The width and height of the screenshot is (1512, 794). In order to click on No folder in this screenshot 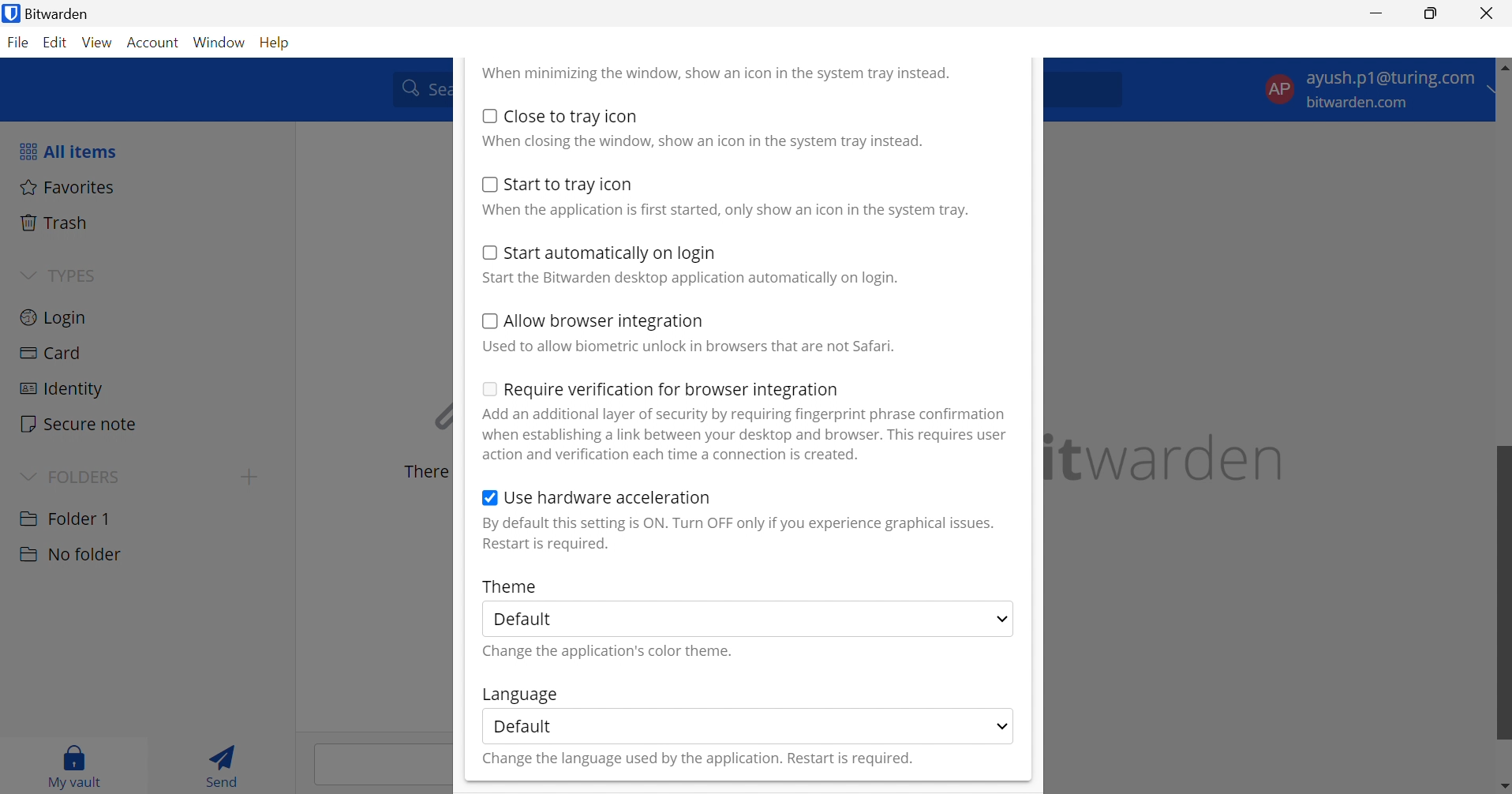, I will do `click(69, 555)`.